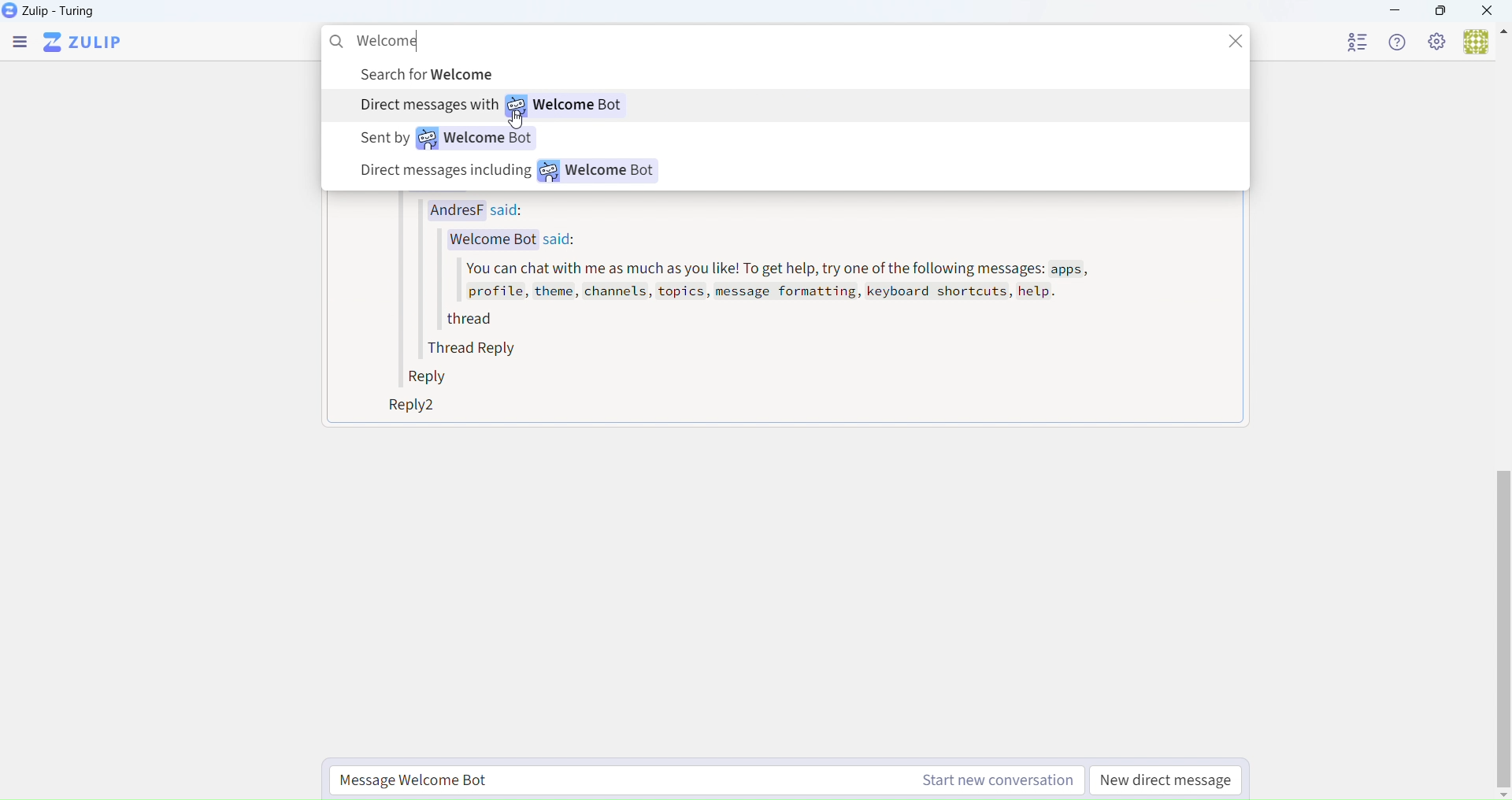  I want to click on Help, so click(1402, 43).